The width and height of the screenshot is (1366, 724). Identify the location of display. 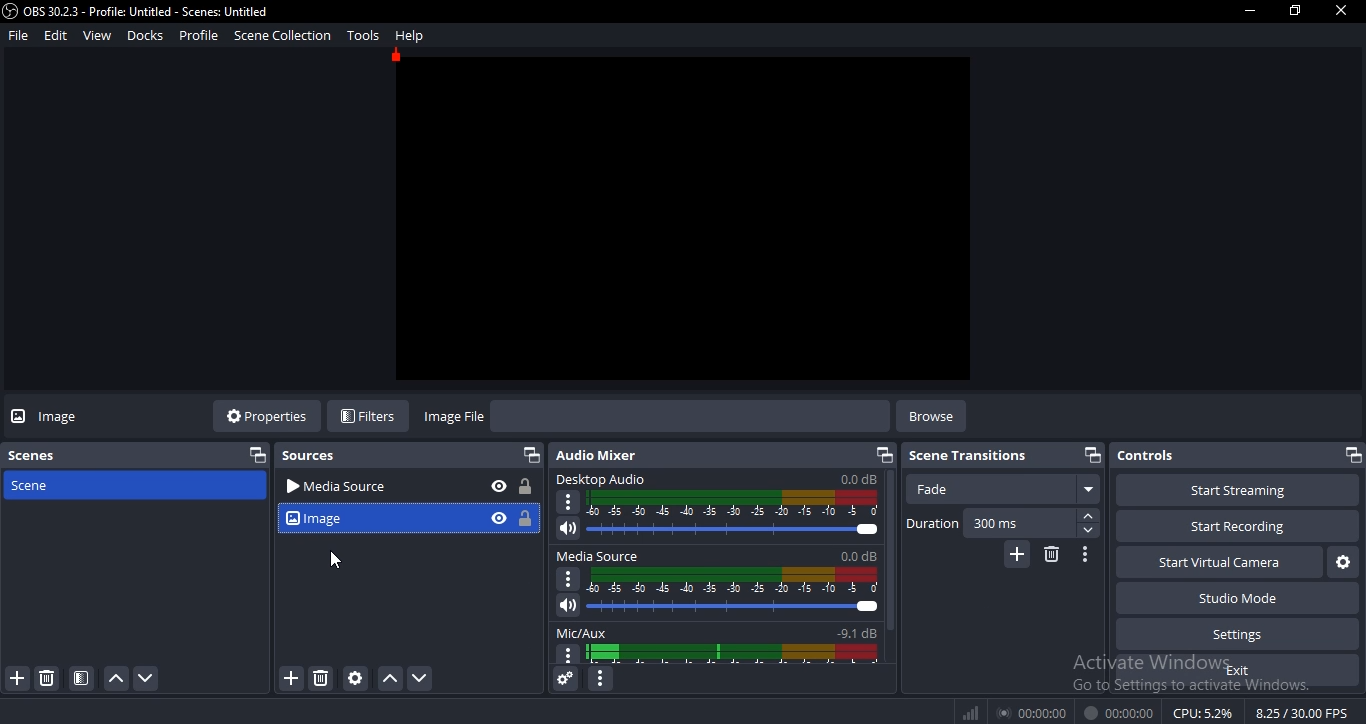
(735, 654).